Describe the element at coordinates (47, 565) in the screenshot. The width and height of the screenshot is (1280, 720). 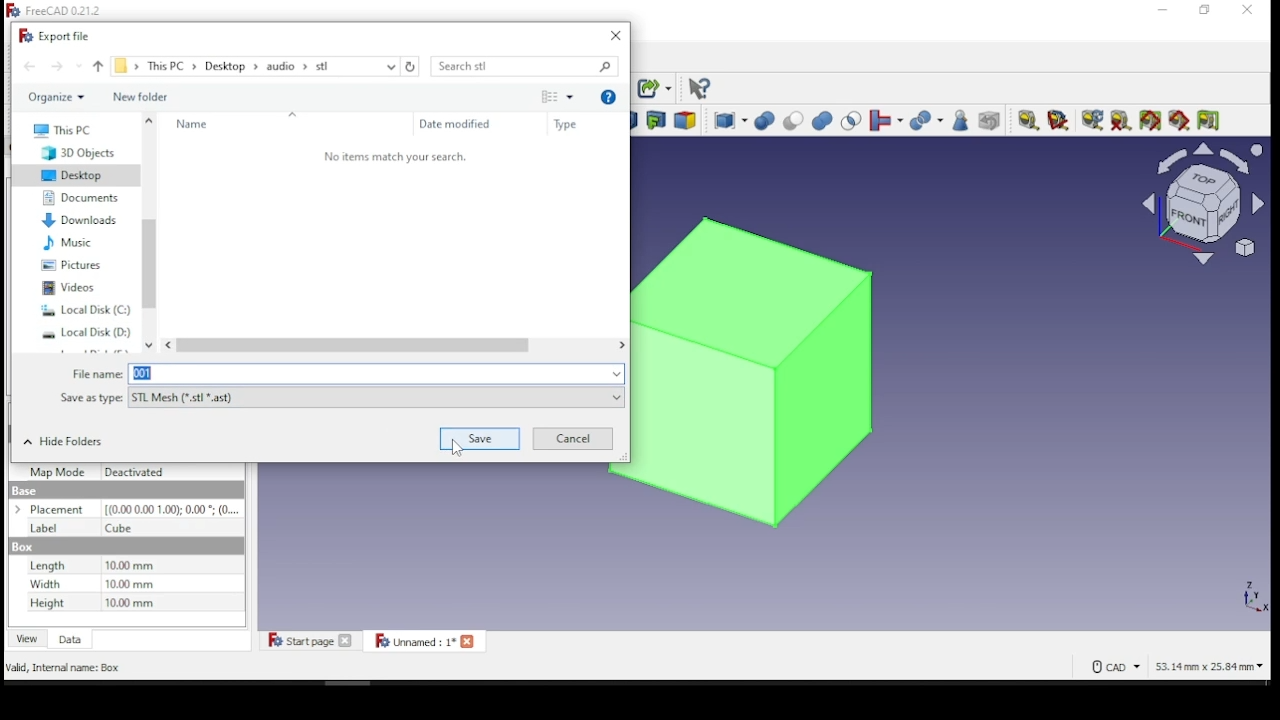
I see `Length` at that location.